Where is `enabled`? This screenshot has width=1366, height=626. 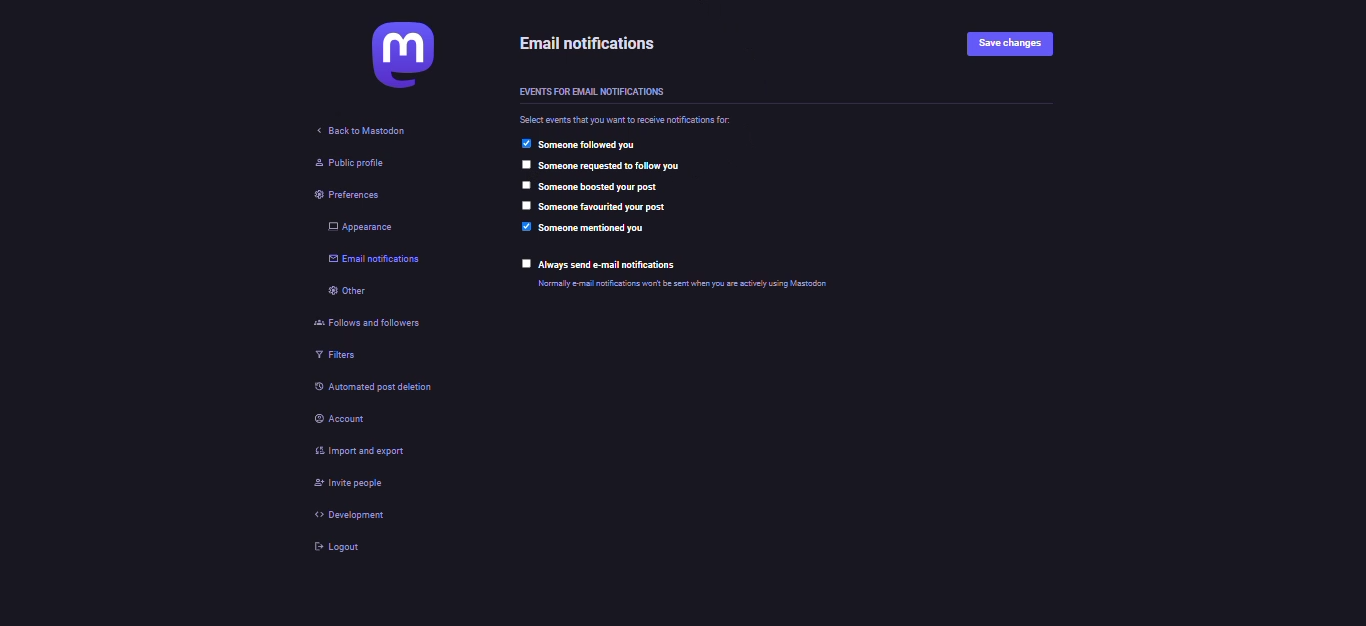 enabled is located at coordinates (525, 227).